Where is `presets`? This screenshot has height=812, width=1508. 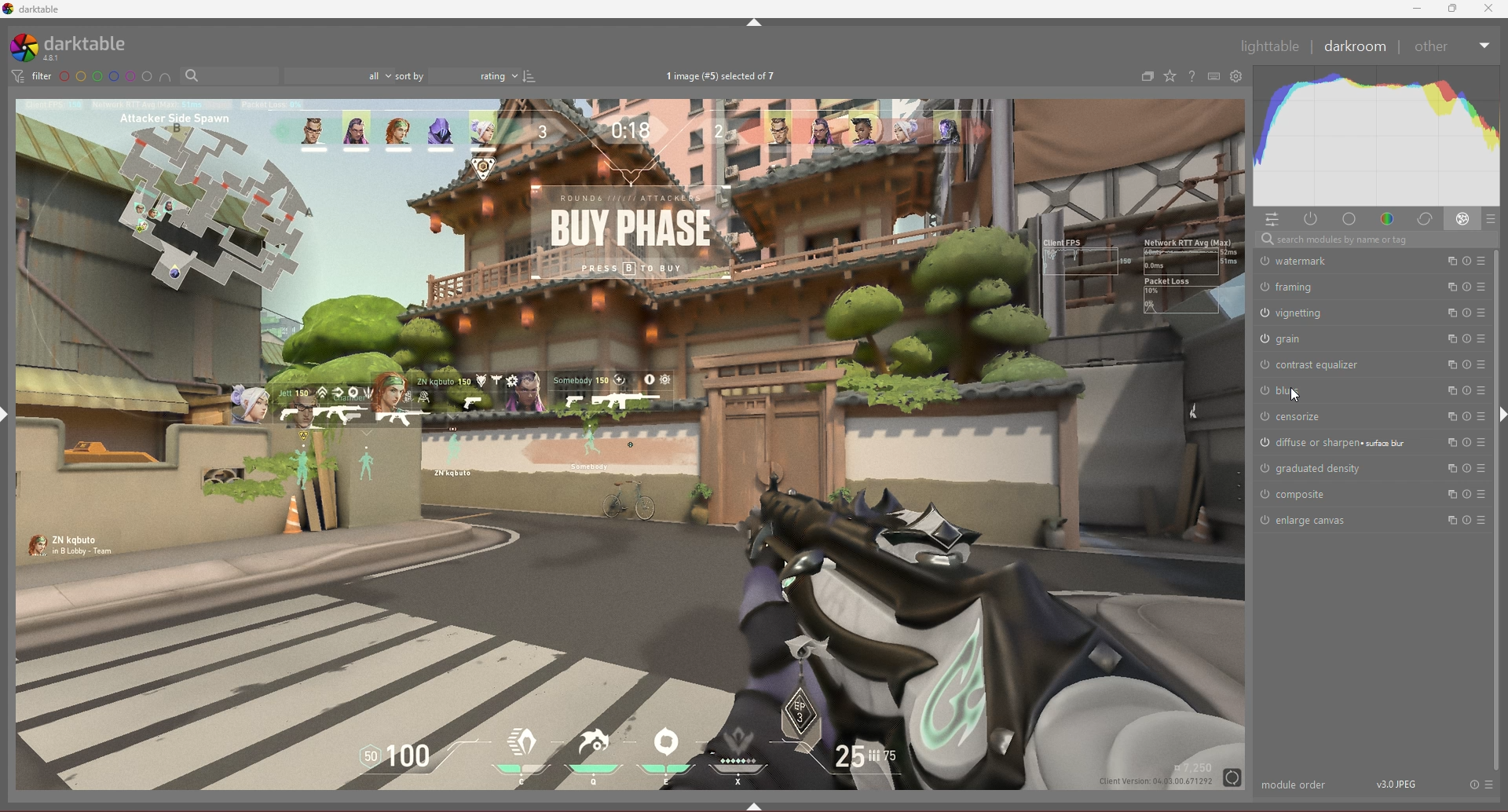
presets is located at coordinates (1481, 493).